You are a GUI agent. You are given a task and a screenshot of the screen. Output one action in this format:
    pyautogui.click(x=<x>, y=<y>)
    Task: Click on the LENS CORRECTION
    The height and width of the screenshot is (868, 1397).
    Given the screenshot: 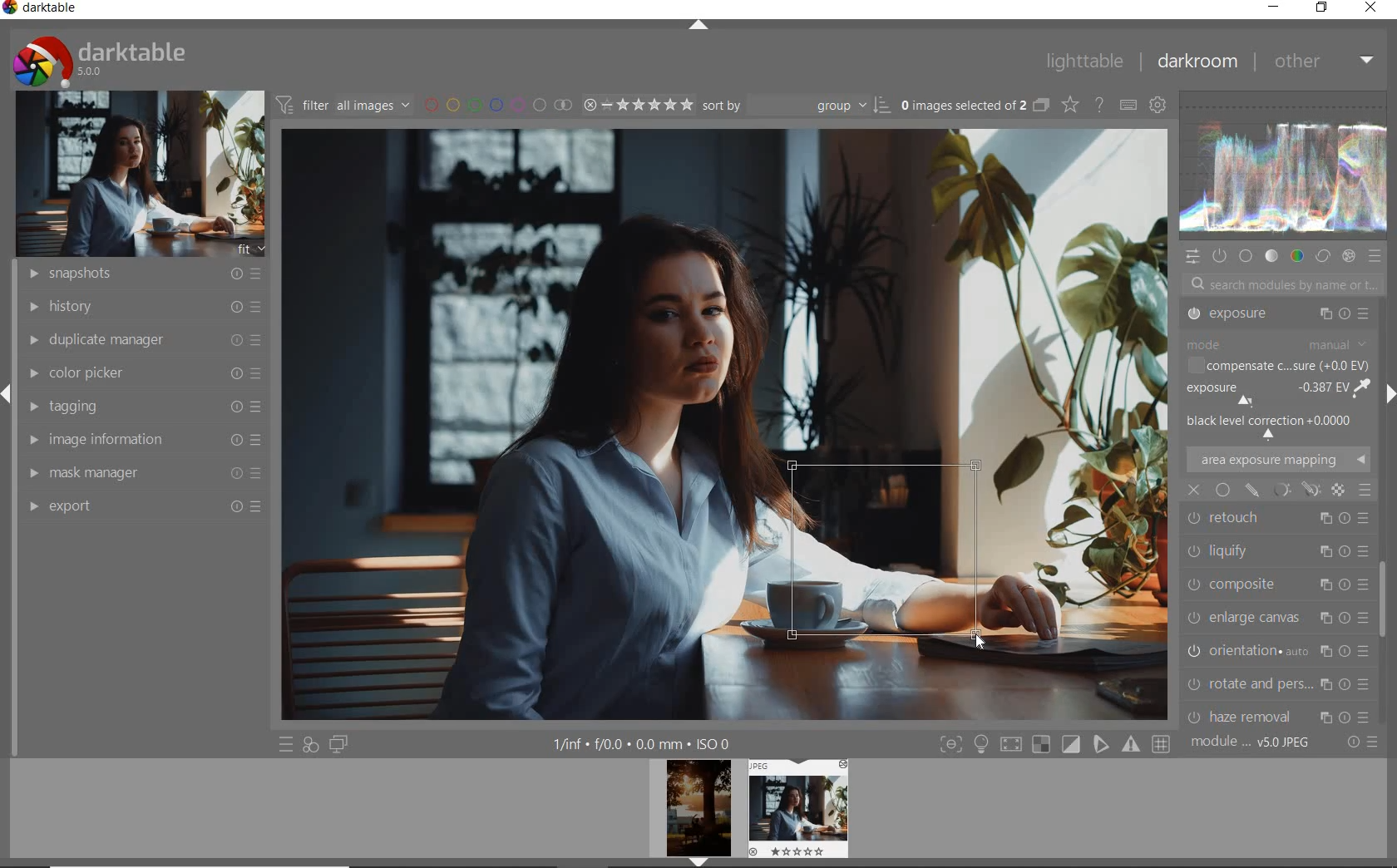 What is the action you would take?
    pyautogui.click(x=1278, y=679)
    